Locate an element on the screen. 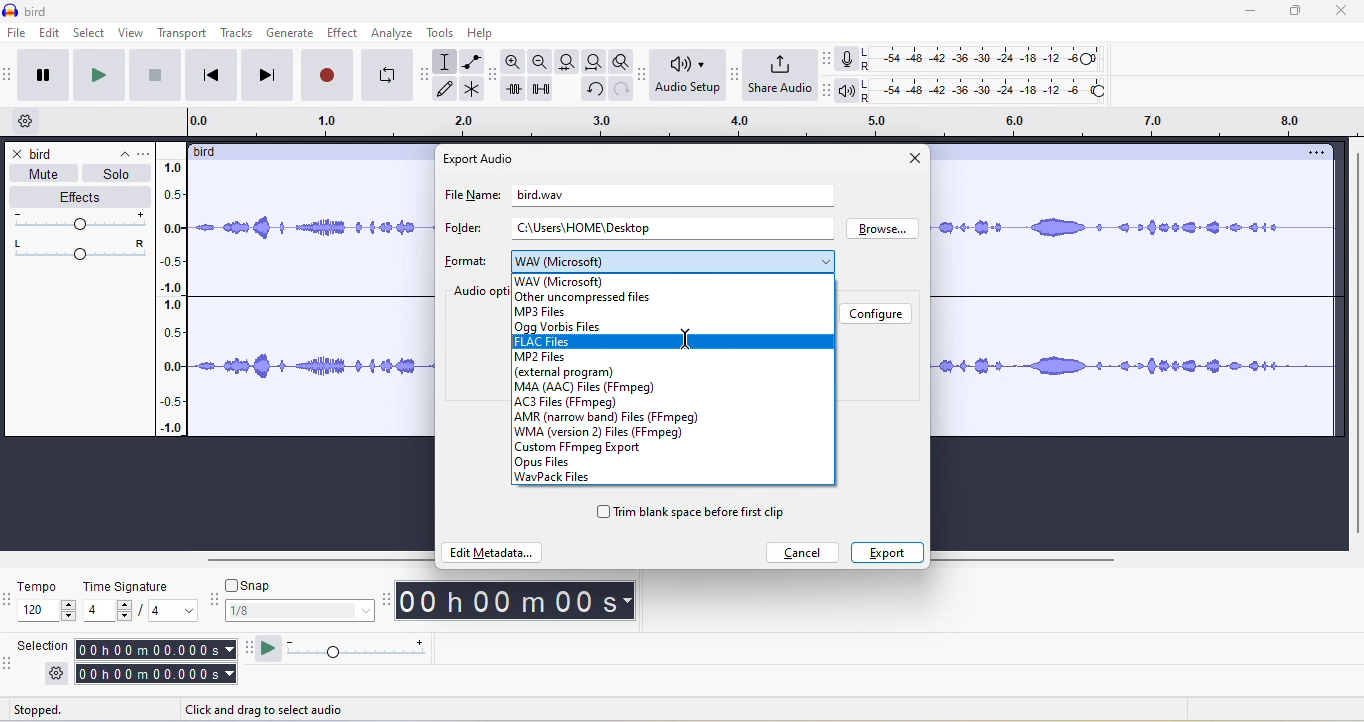 This screenshot has width=1364, height=722. vertical scroll bar is located at coordinates (1352, 344).